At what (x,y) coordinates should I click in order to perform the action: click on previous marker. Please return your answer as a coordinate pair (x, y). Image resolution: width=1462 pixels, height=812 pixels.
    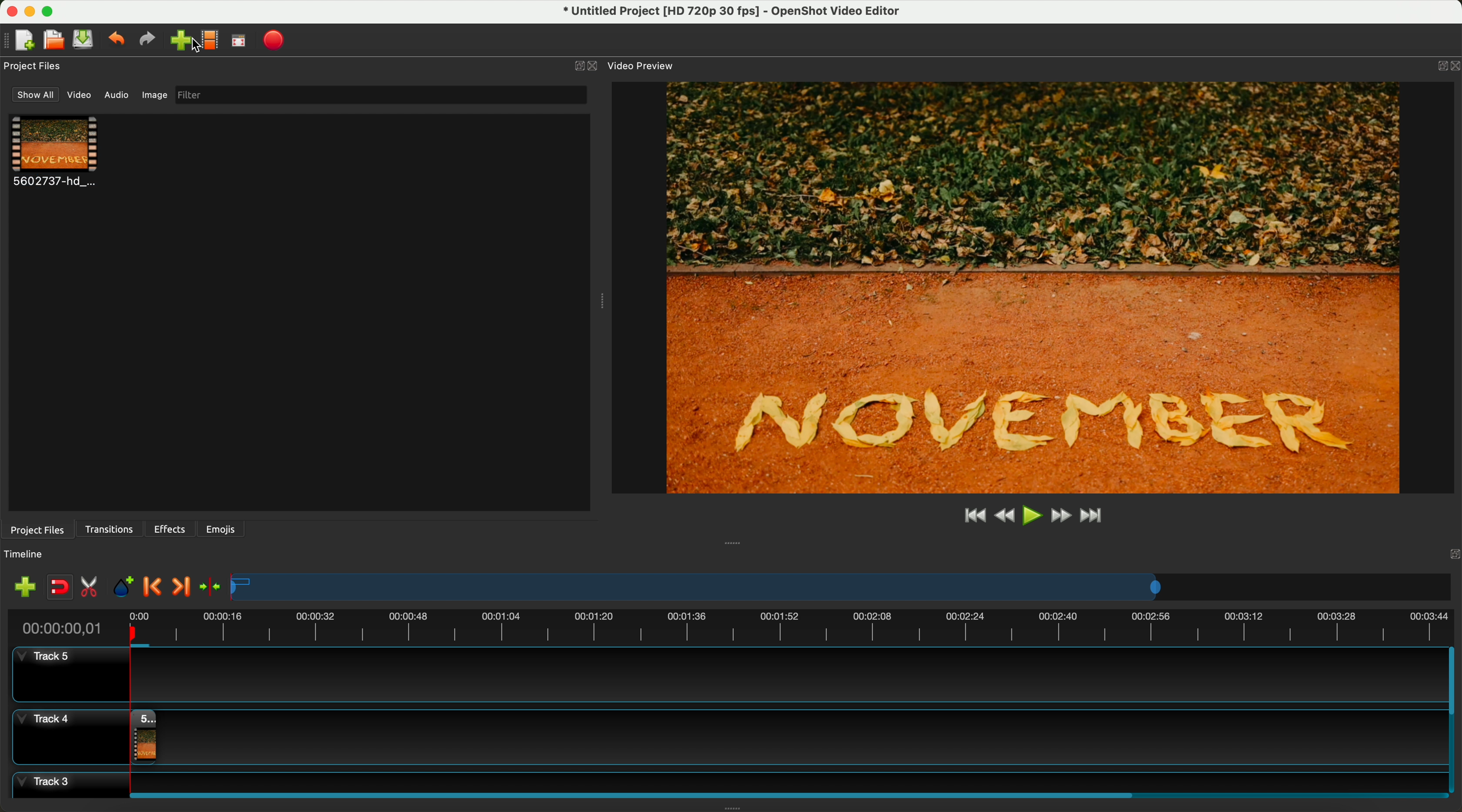
    Looking at the image, I should click on (156, 587).